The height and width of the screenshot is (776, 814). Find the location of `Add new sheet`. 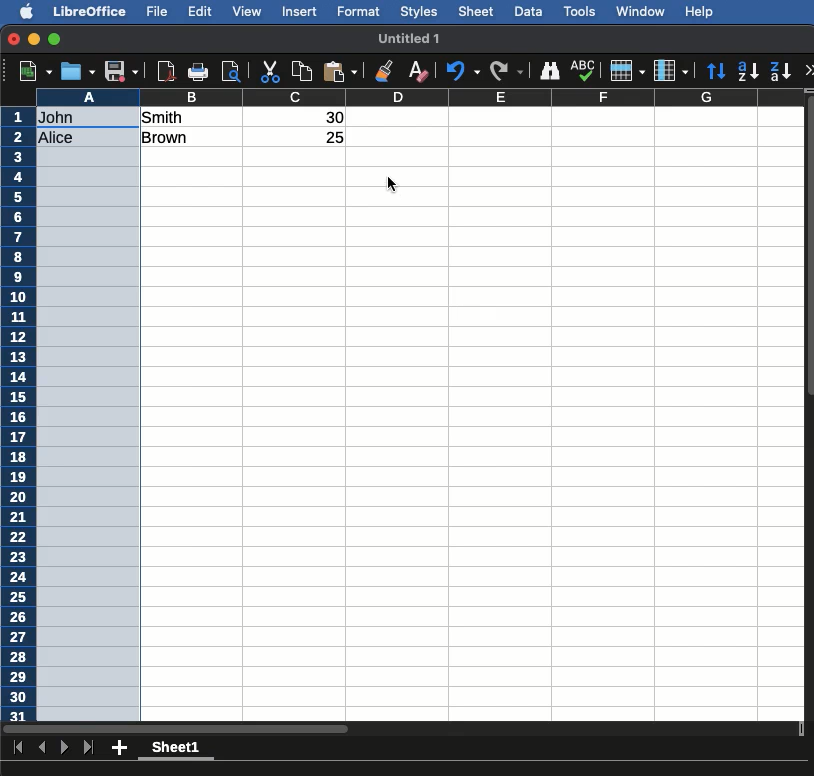

Add new sheet is located at coordinates (118, 748).